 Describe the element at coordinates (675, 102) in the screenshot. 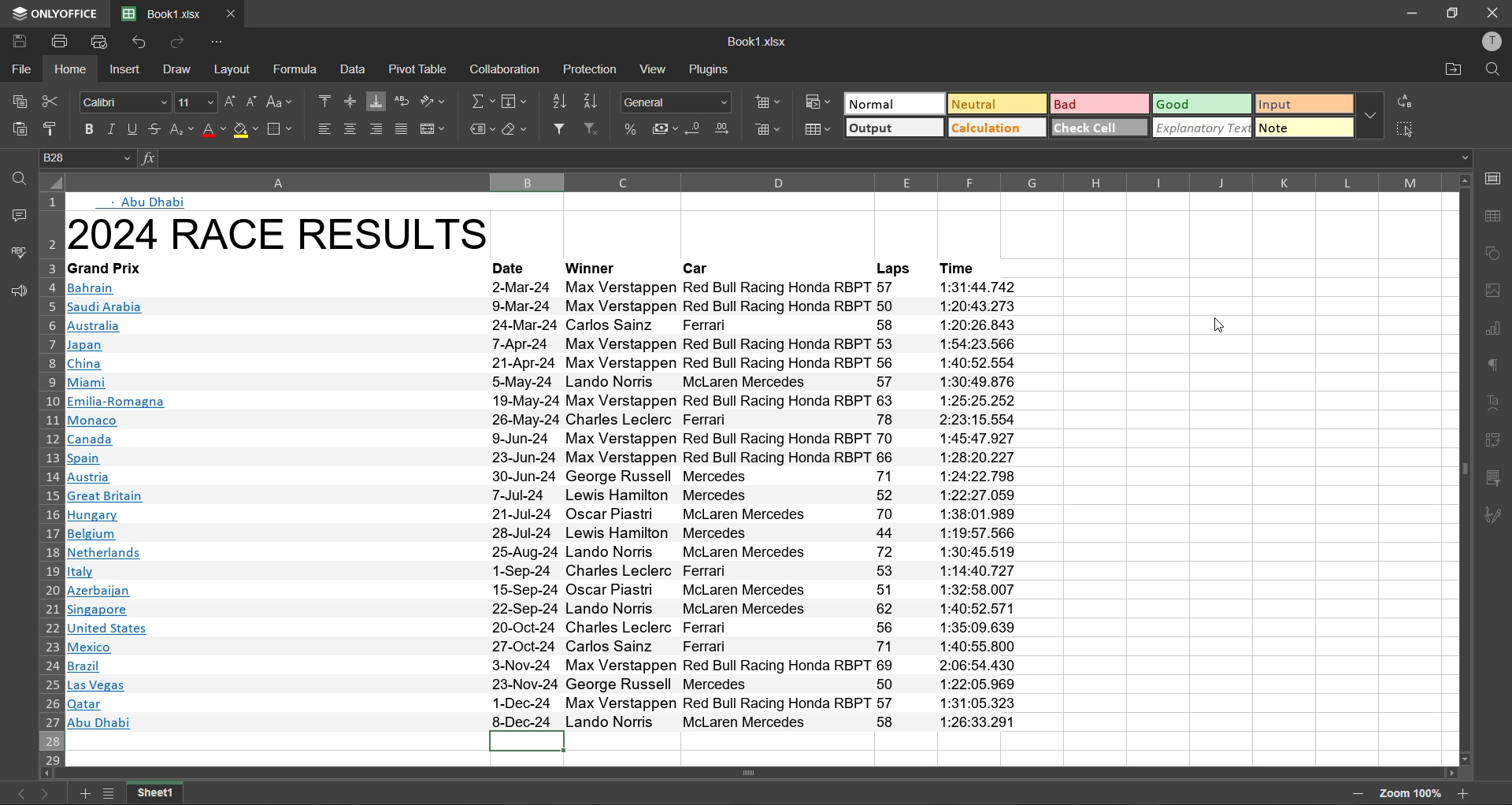

I see `number format` at that location.